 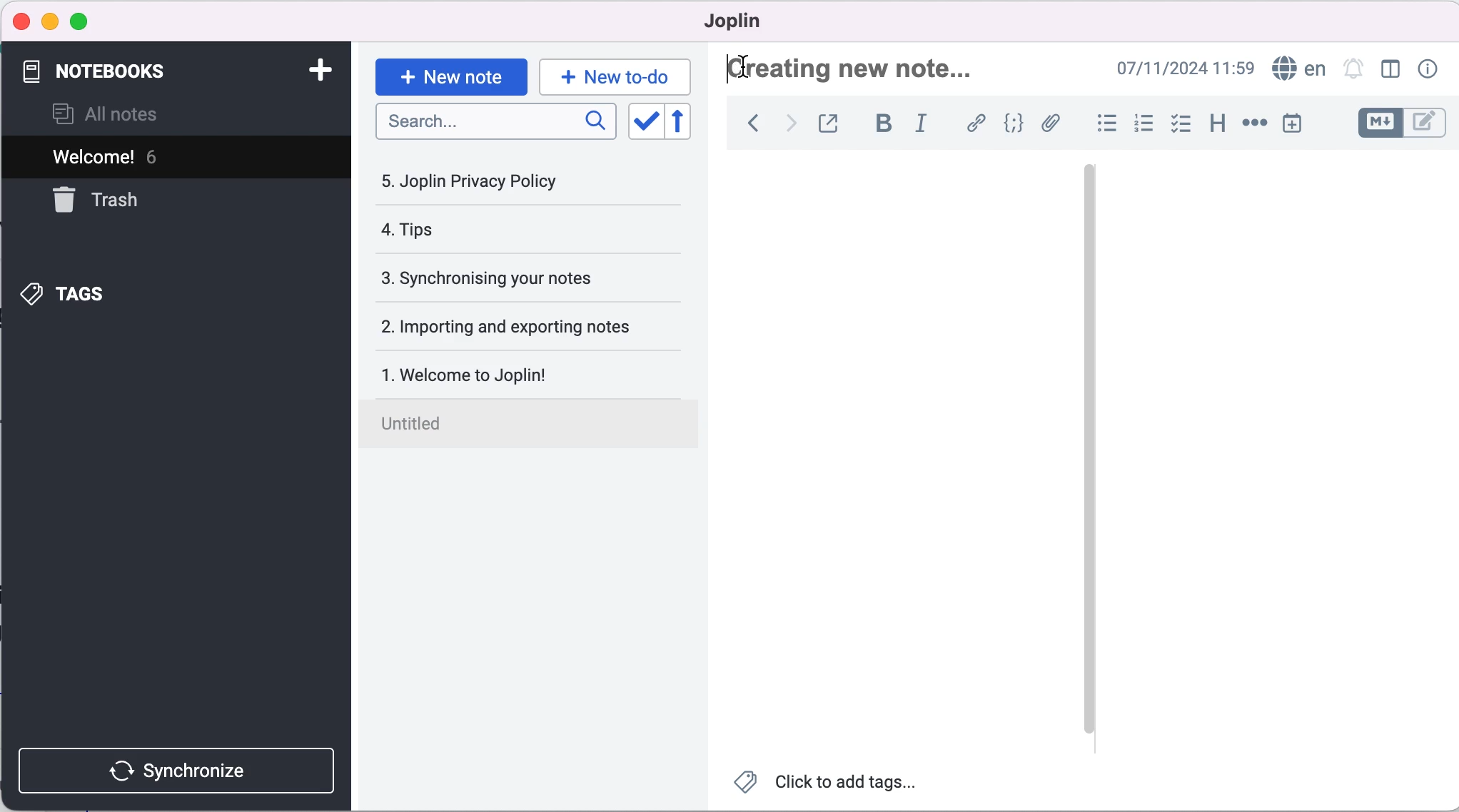 I want to click on add file, so click(x=1052, y=124).